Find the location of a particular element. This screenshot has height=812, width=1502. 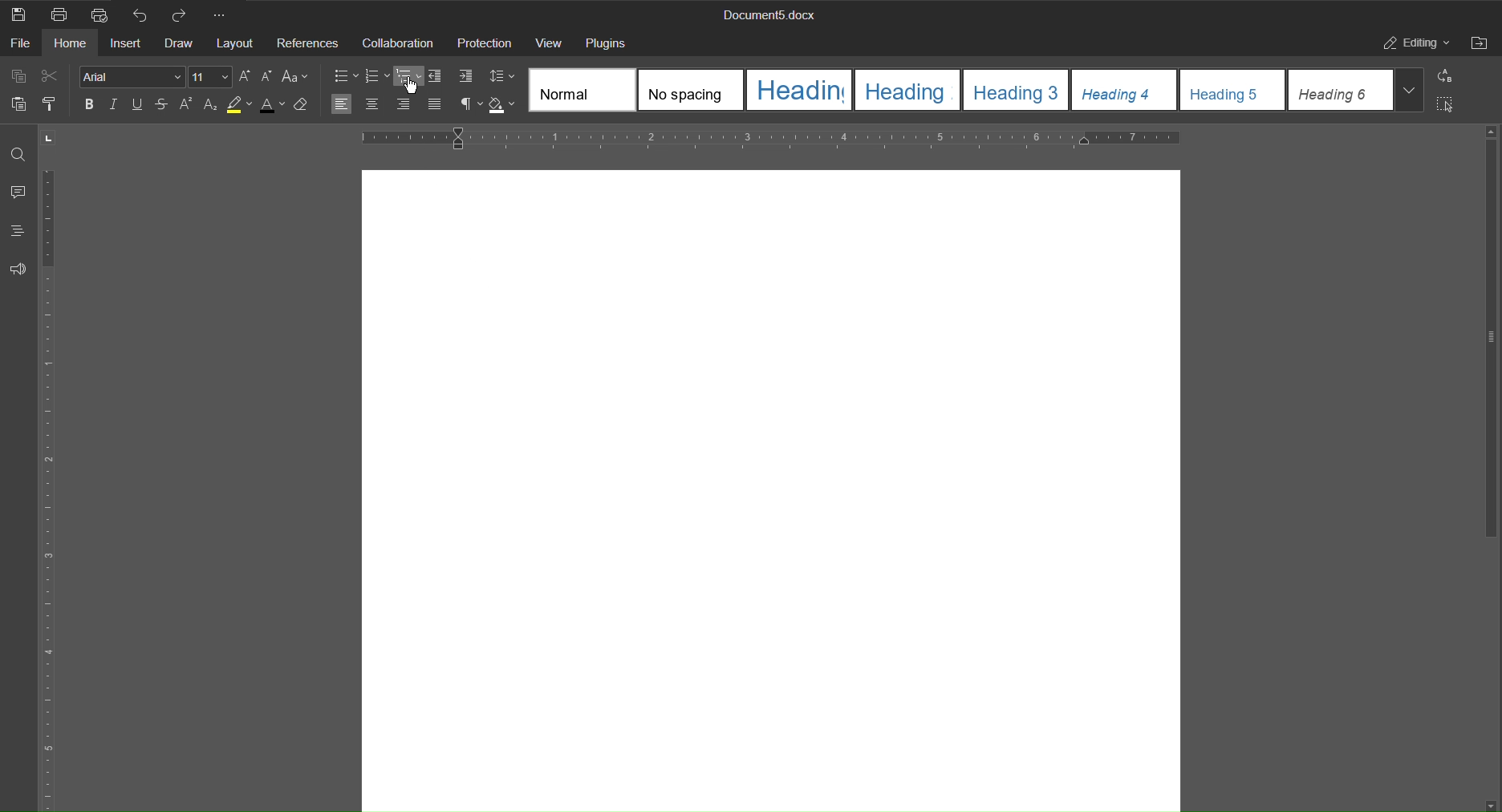

scroll down is located at coordinates (1489, 805).